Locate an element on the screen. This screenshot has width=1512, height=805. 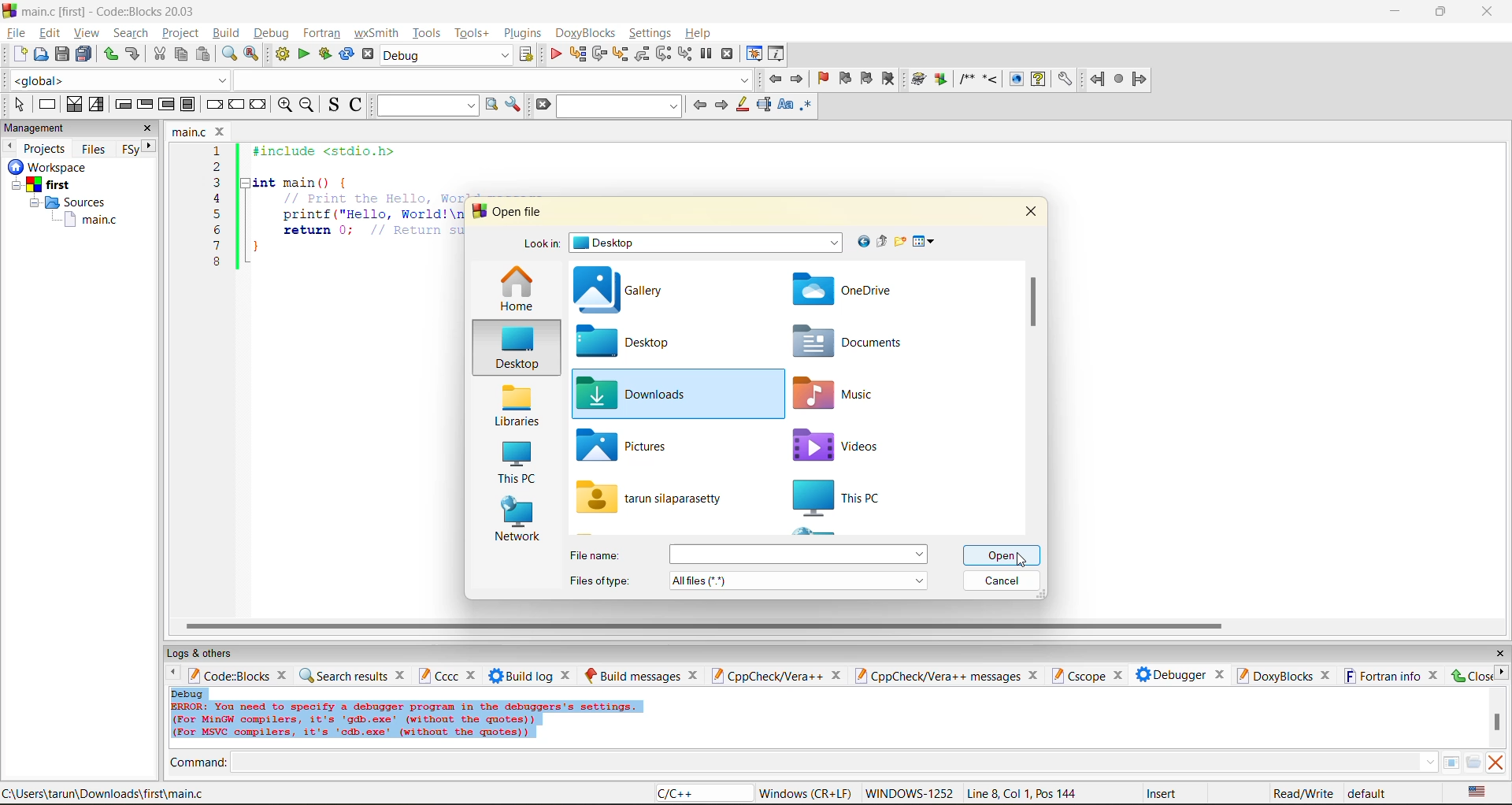
build and run is located at coordinates (325, 54).